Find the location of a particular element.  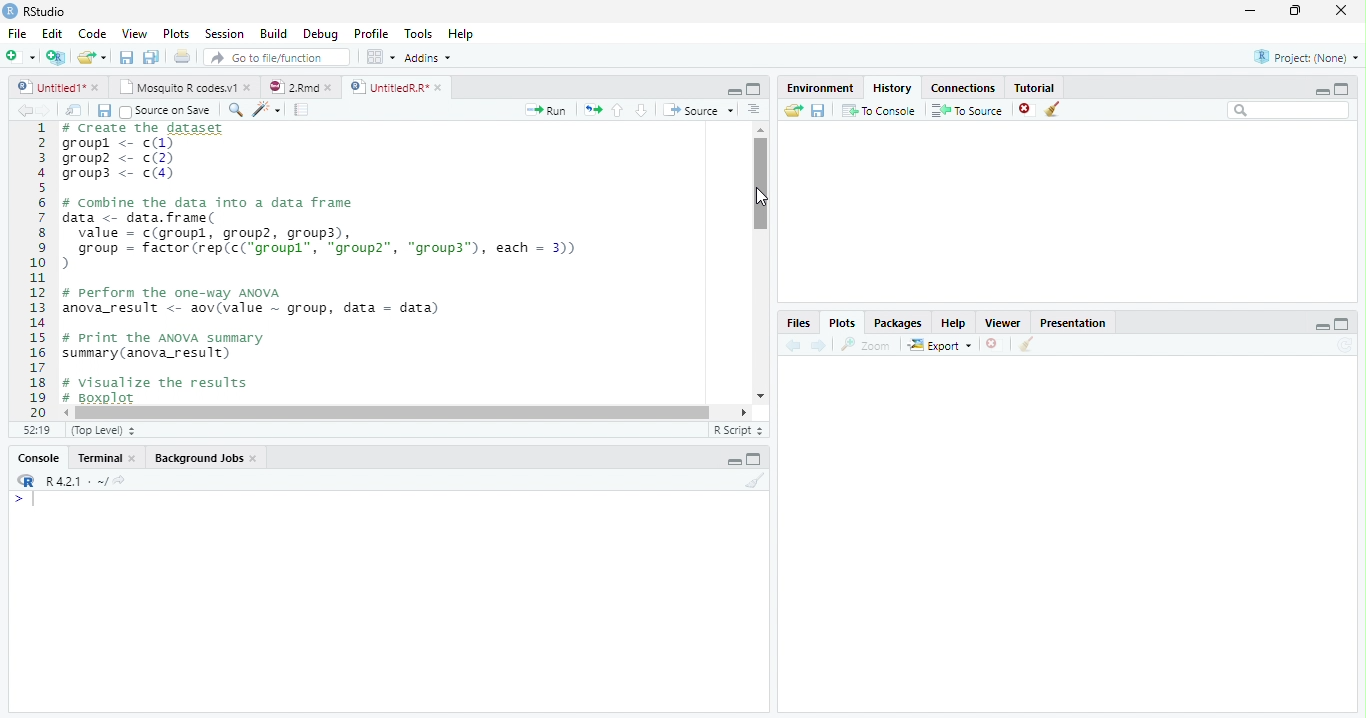

Terminal is located at coordinates (108, 458).